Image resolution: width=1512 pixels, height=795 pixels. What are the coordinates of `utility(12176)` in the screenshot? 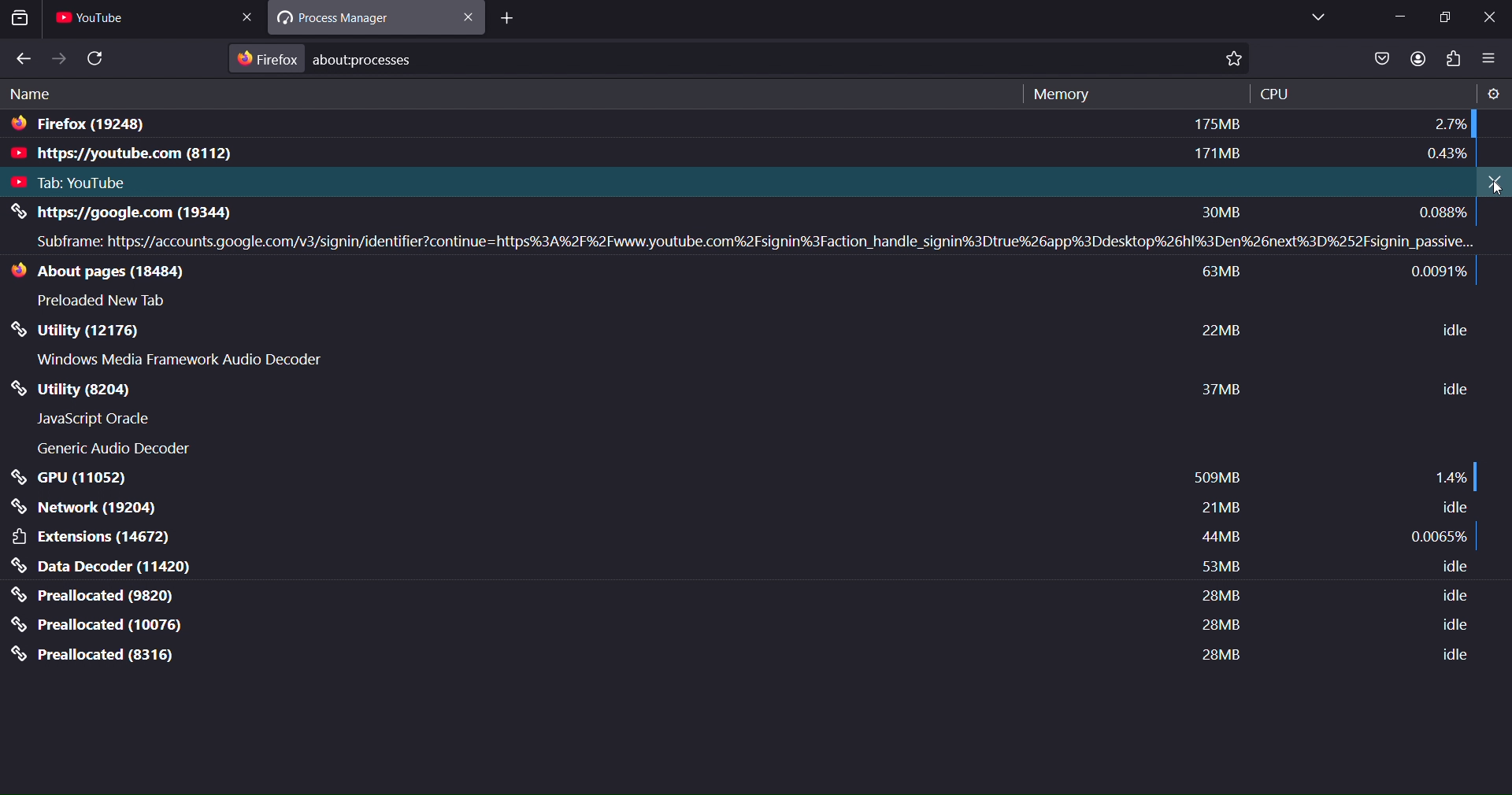 It's located at (150, 333).